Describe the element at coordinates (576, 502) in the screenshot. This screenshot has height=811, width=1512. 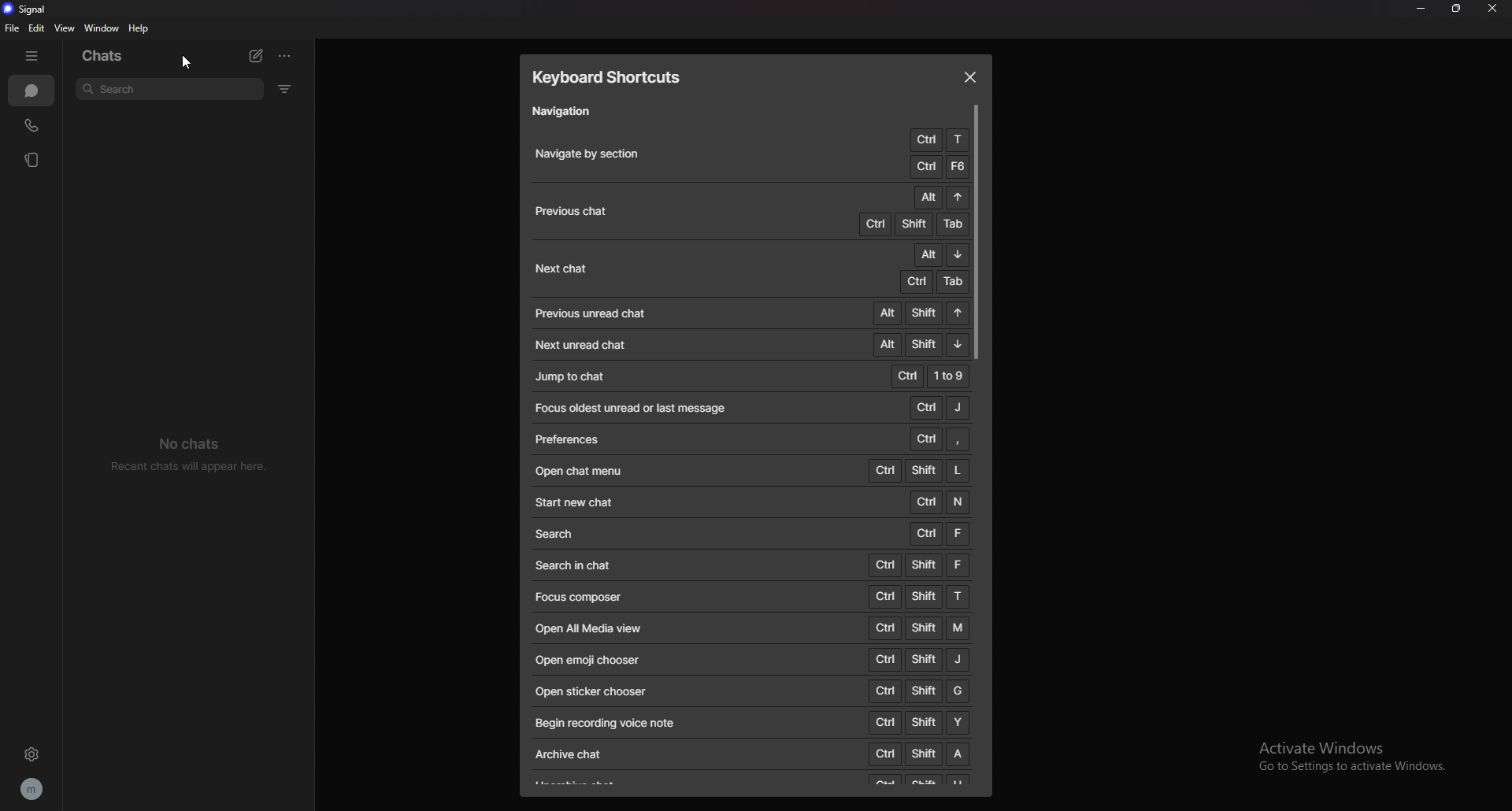
I see `start new chat` at that location.